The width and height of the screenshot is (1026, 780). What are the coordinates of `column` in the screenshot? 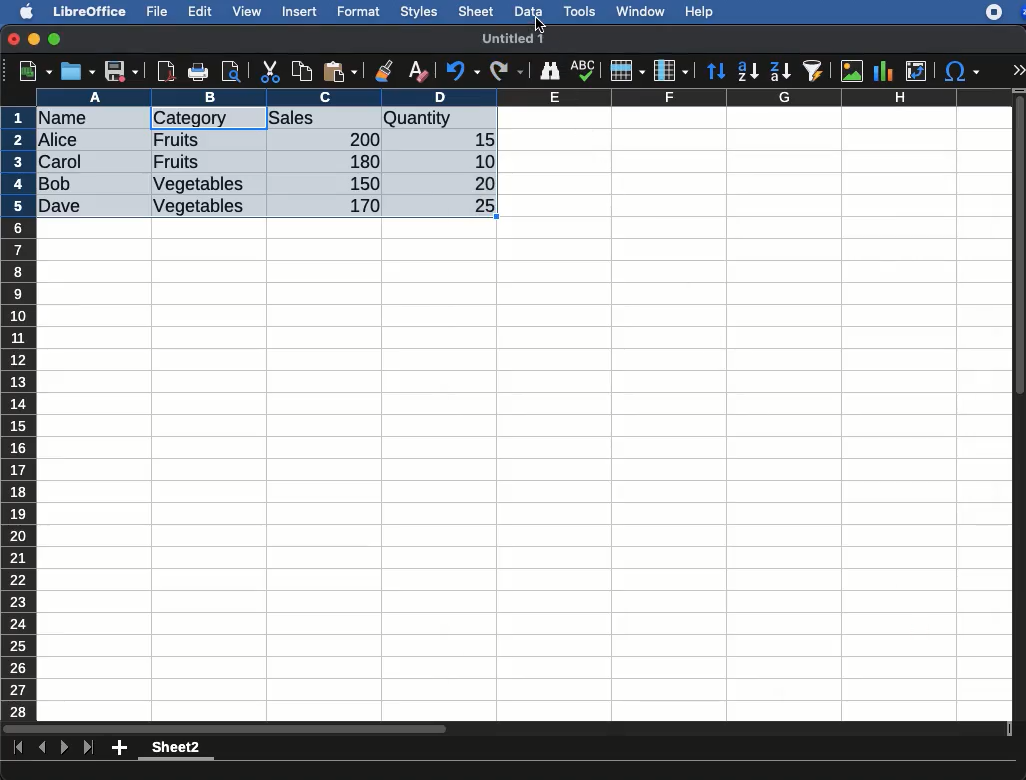 It's located at (525, 97).